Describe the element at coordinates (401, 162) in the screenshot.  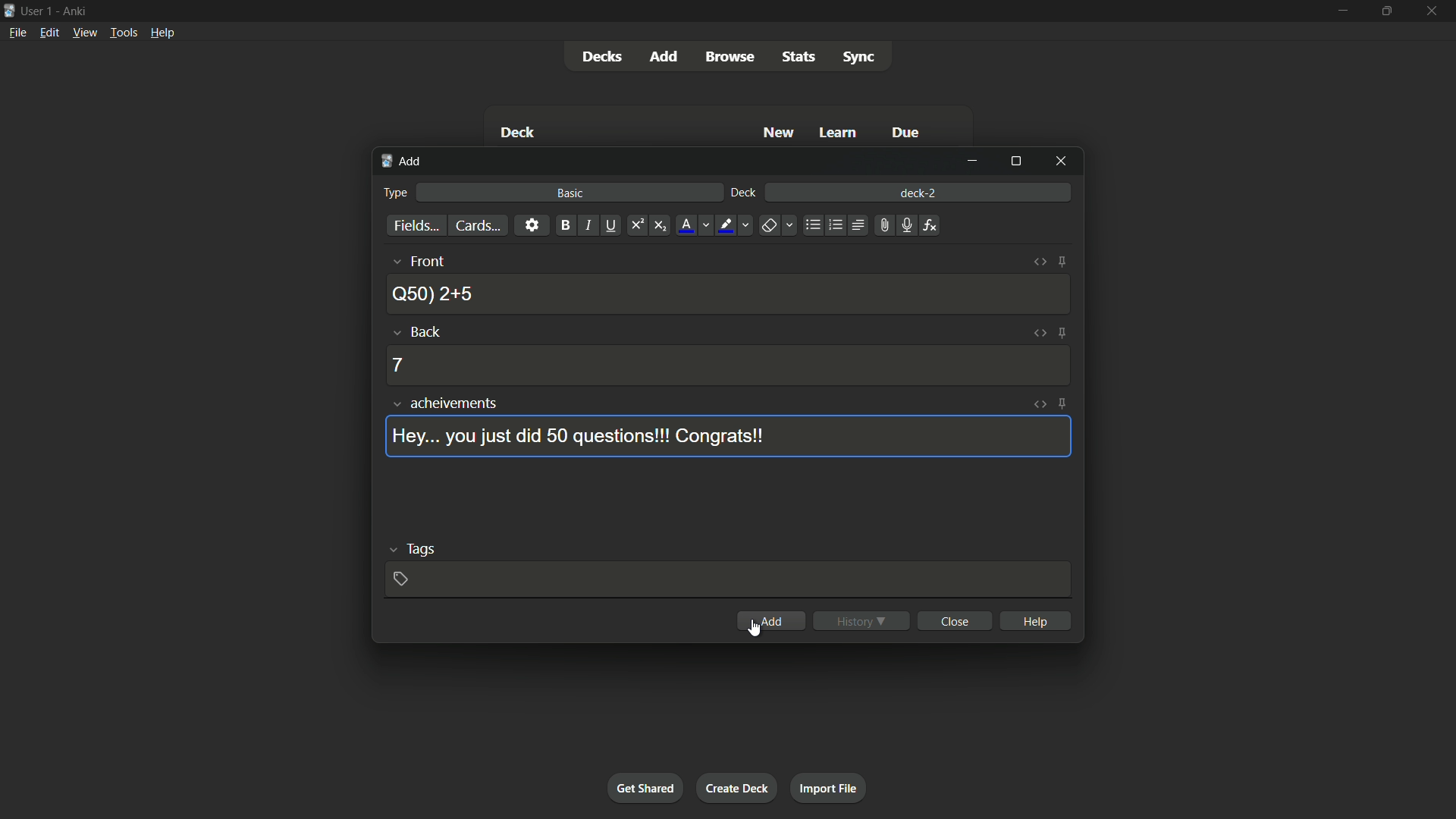
I see `add` at that location.